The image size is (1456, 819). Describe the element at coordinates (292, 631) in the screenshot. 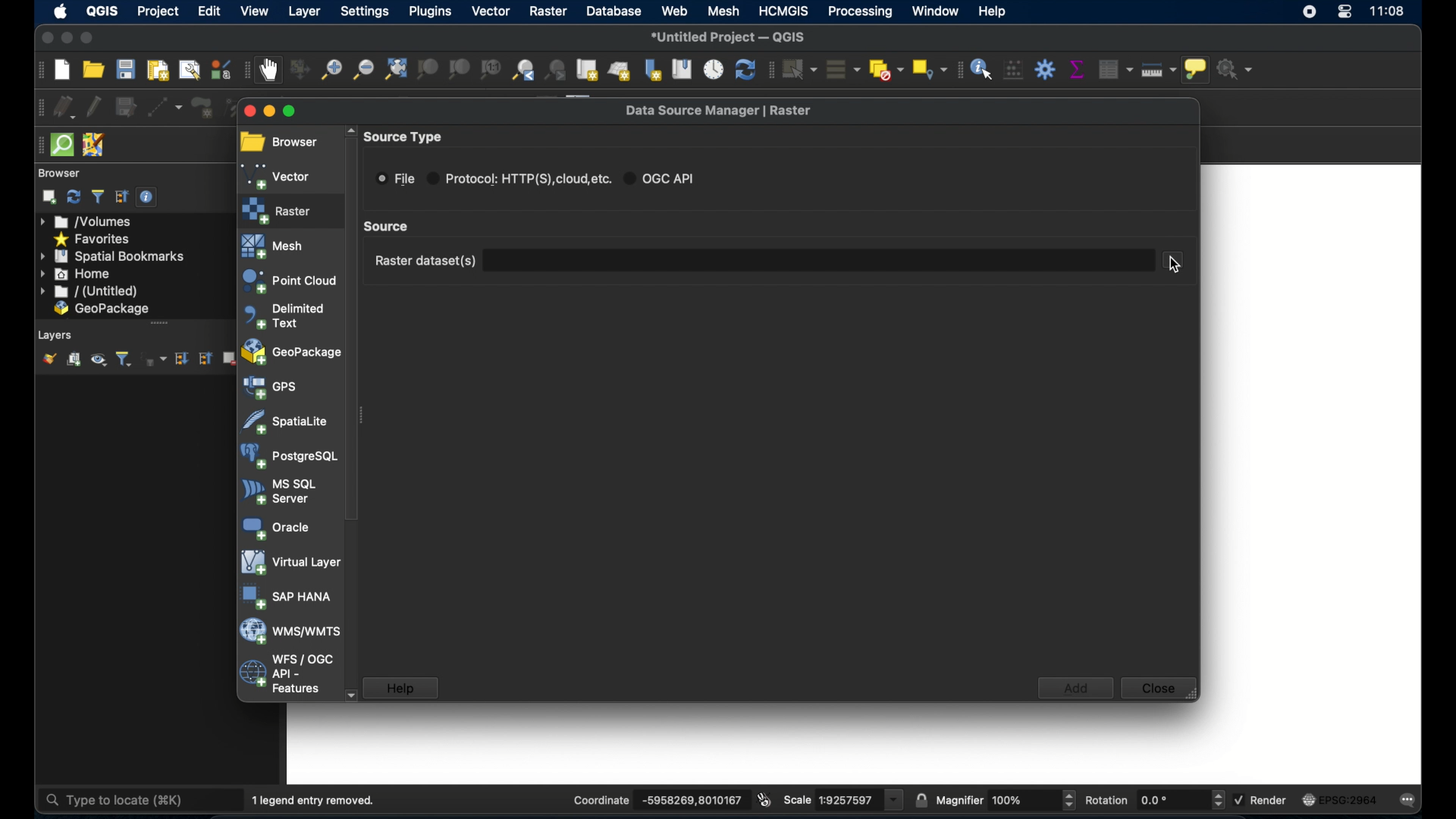

I see `was/wmts` at that location.